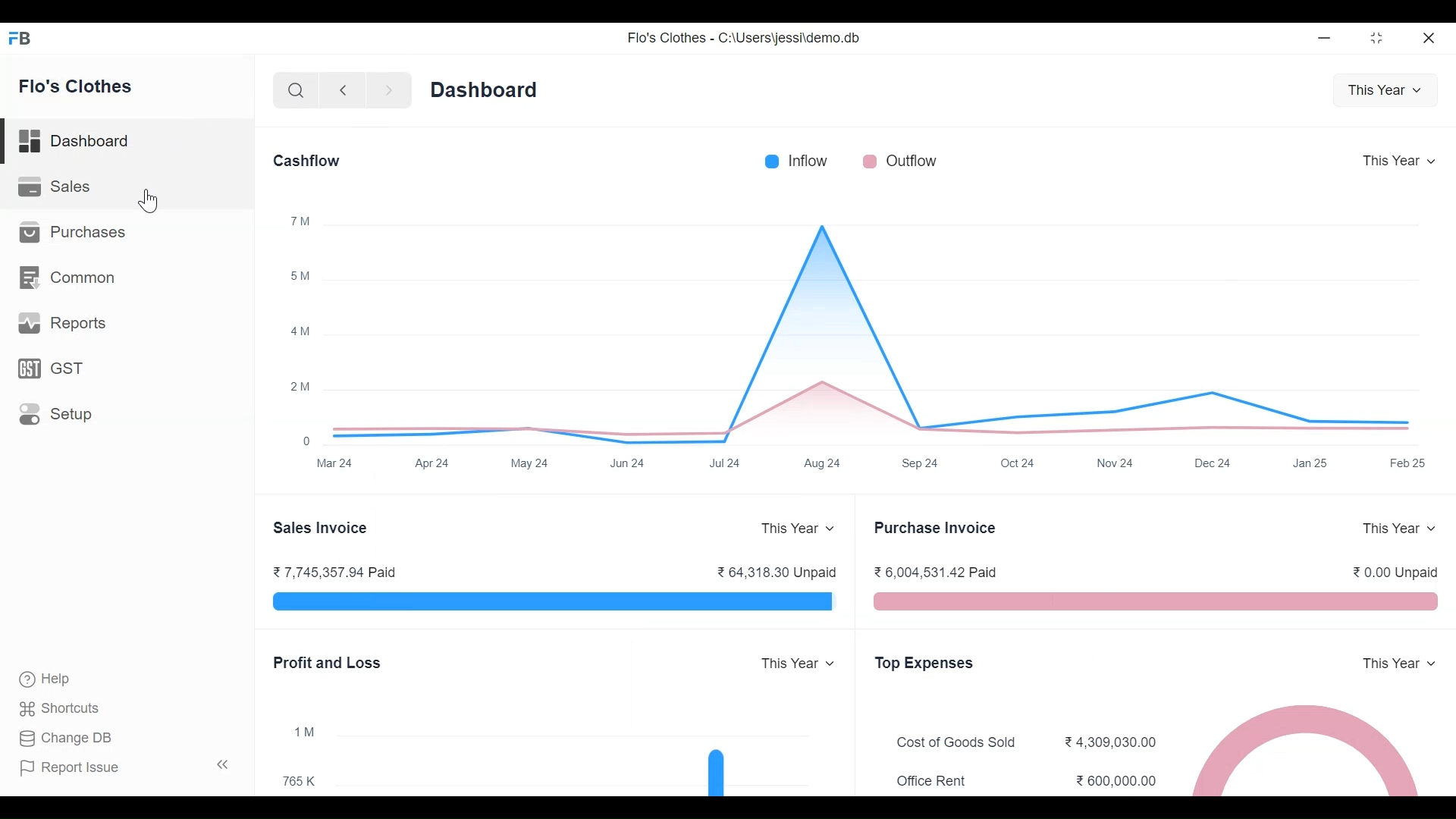 The image size is (1456, 819). Describe the element at coordinates (301, 332) in the screenshot. I see `4M` at that location.